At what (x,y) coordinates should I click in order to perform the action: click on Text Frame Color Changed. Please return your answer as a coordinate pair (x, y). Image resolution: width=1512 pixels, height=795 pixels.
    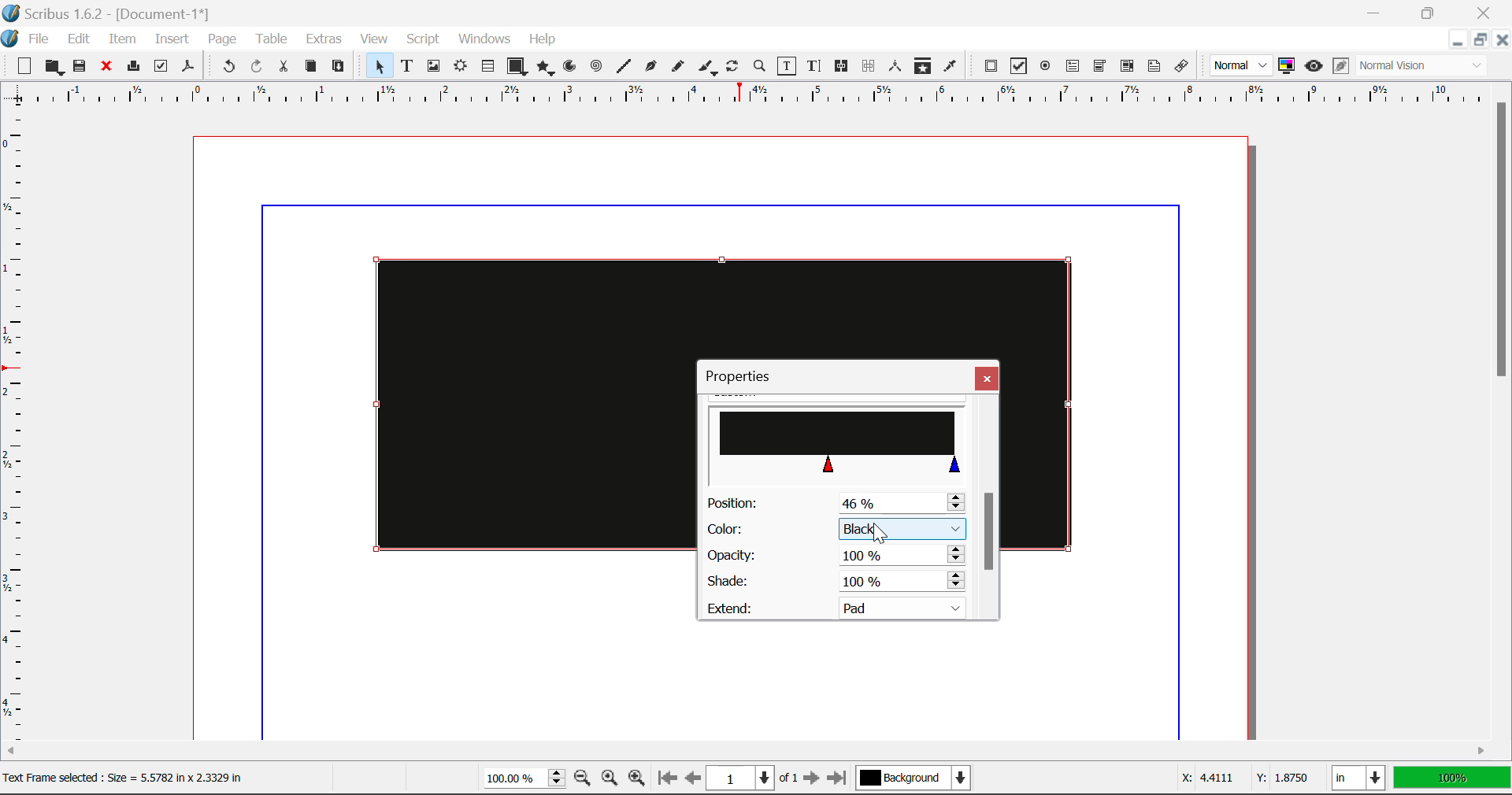
    Looking at the image, I should click on (510, 403).